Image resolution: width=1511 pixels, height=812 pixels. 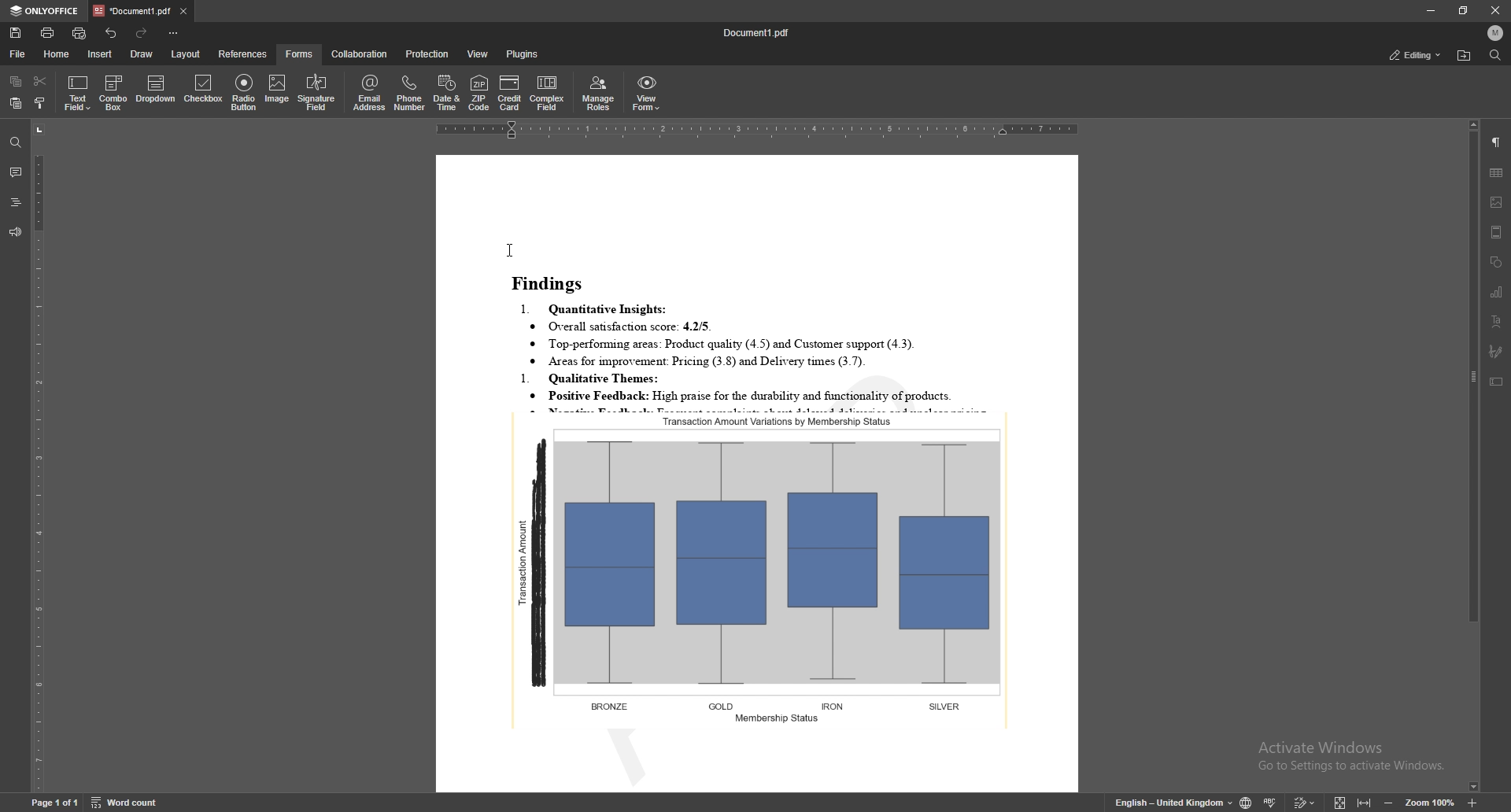 I want to click on chart, so click(x=1497, y=292).